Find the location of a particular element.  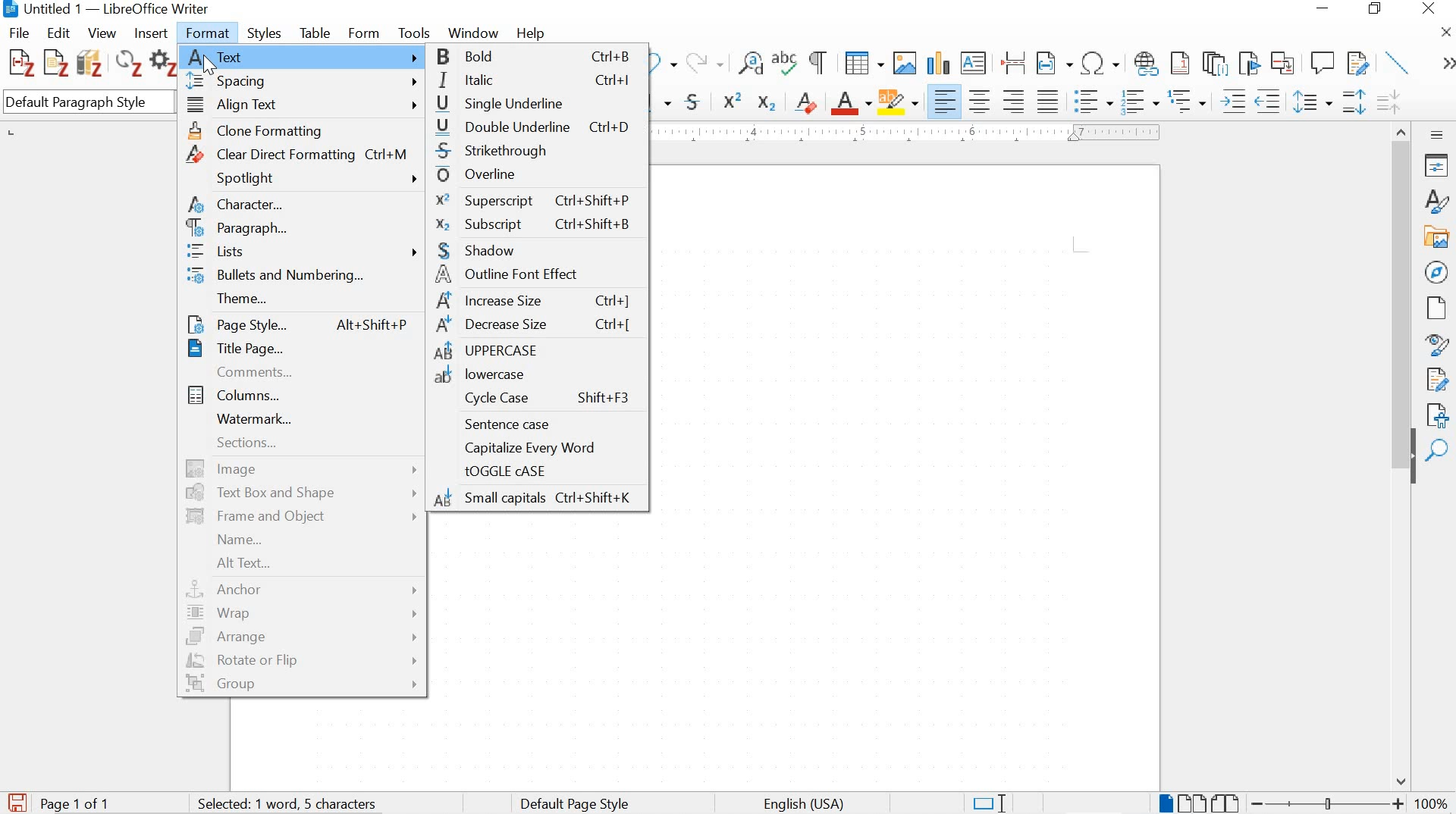

font color is located at coordinates (852, 104).